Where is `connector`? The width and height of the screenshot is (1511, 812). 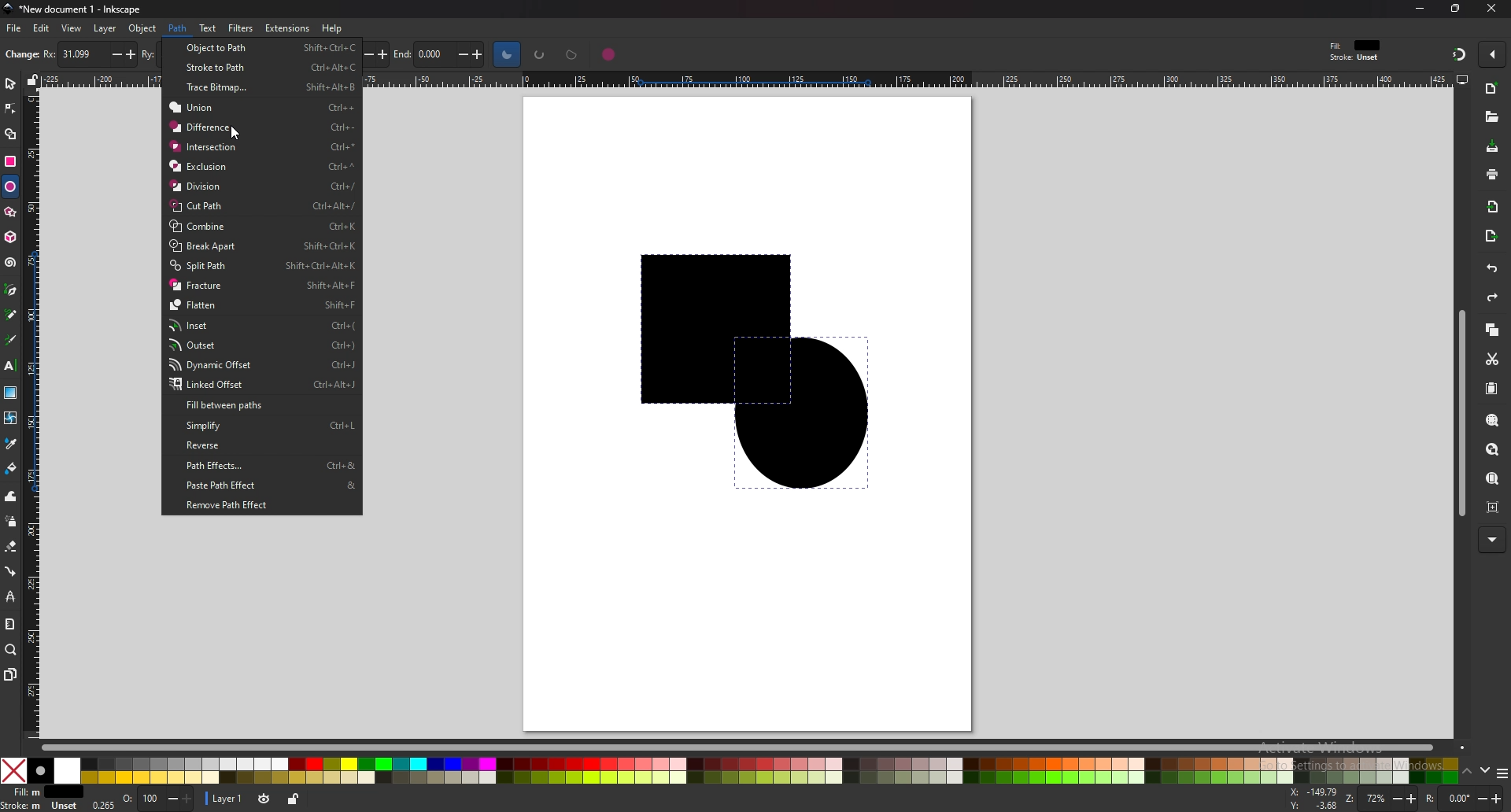
connector is located at coordinates (12, 570).